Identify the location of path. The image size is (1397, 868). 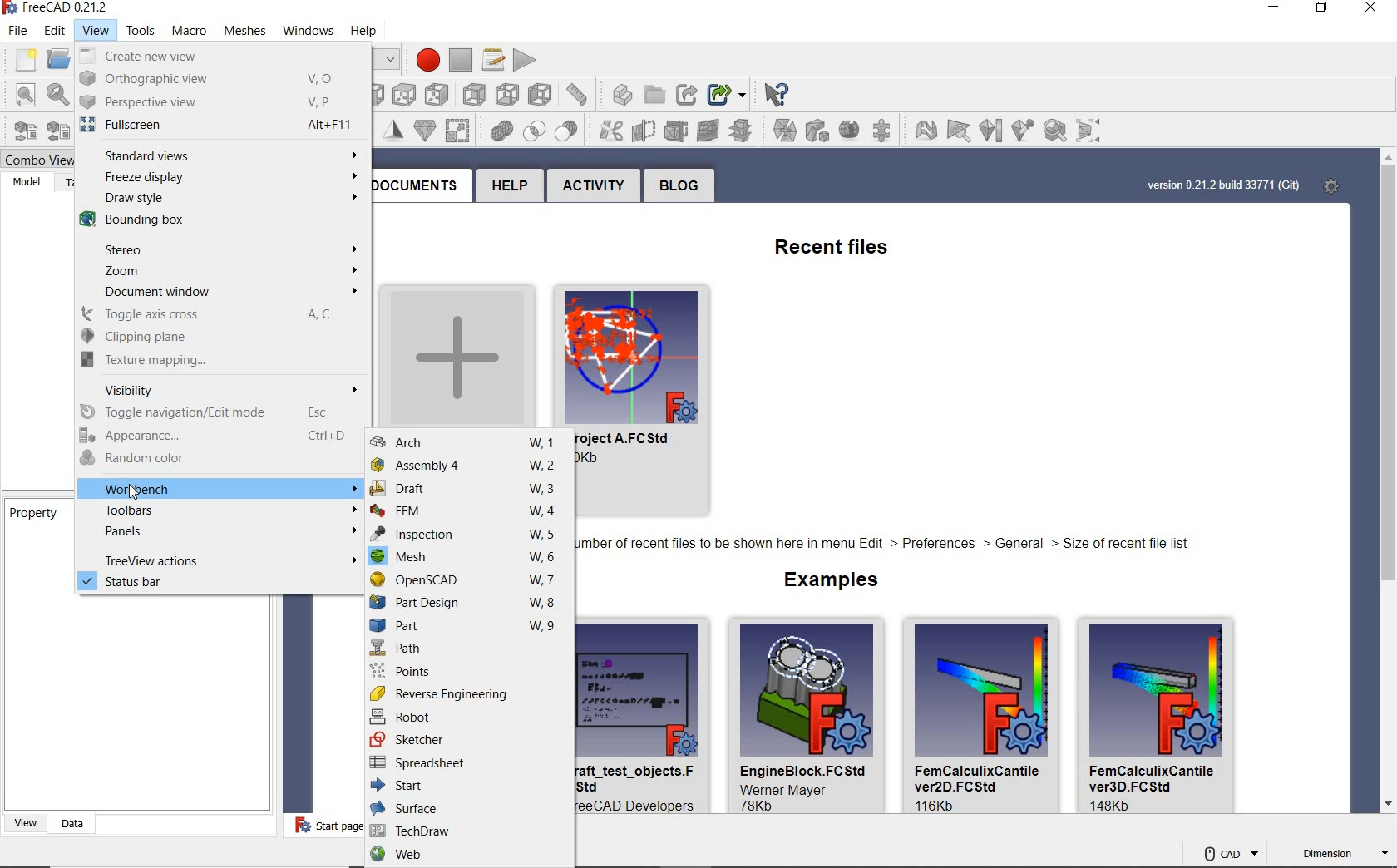
(466, 649).